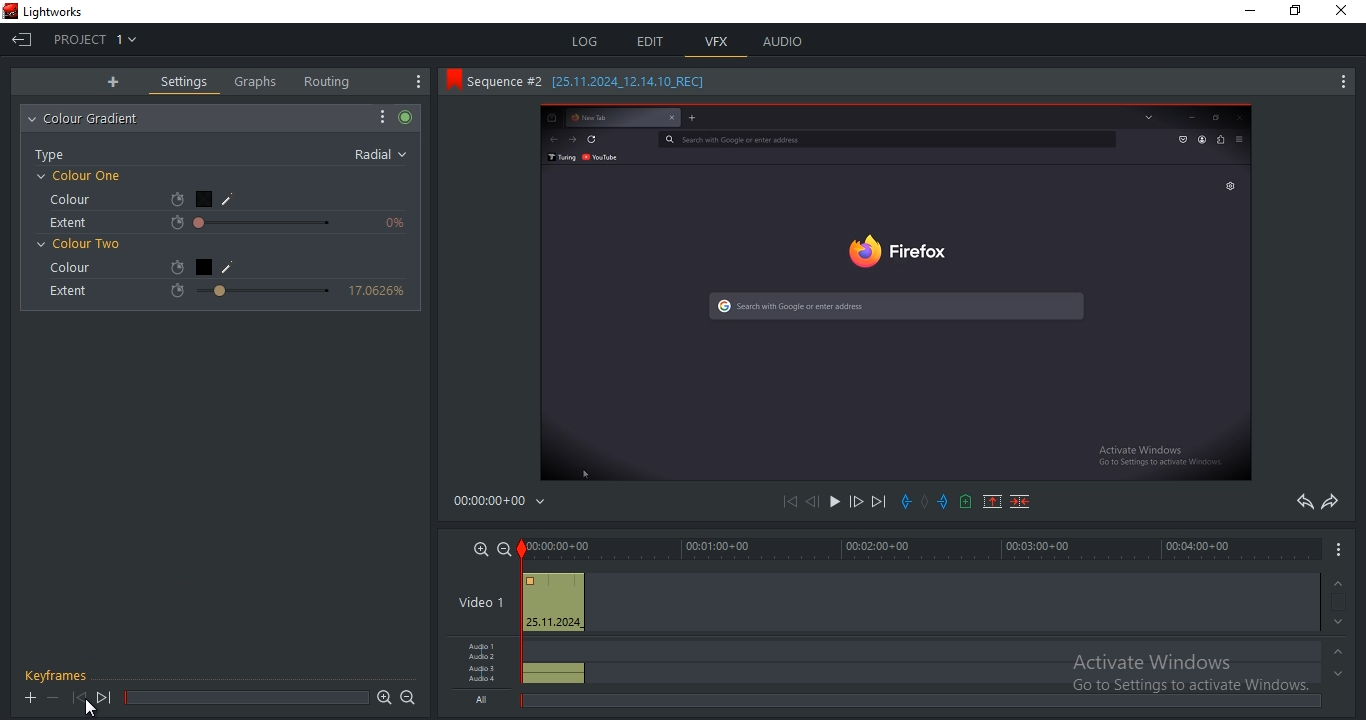  What do you see at coordinates (233, 198) in the screenshot?
I see `color picker` at bounding box center [233, 198].